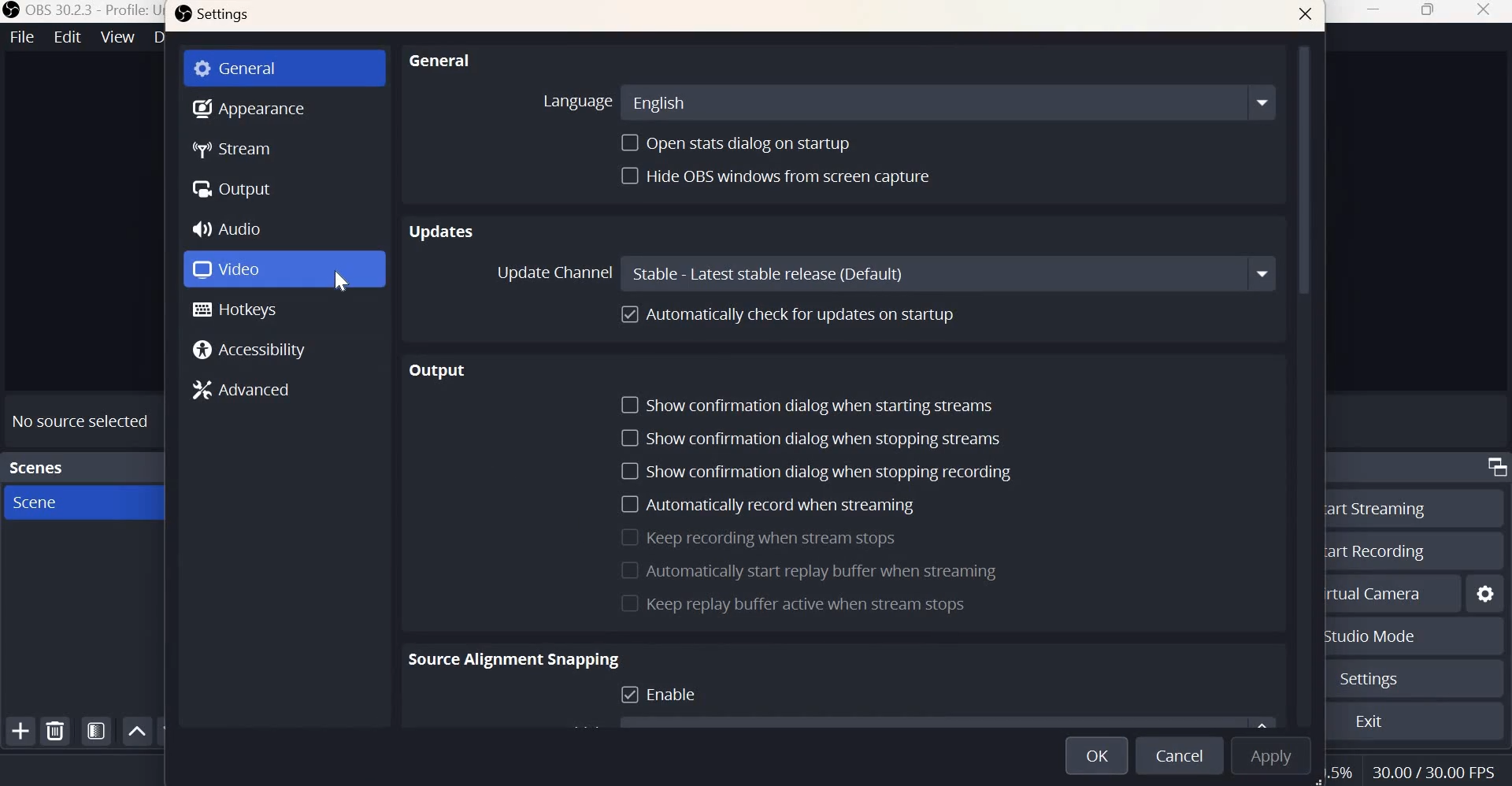 This screenshot has height=786, width=1512. Describe the element at coordinates (553, 273) in the screenshot. I see `Update channel` at that location.